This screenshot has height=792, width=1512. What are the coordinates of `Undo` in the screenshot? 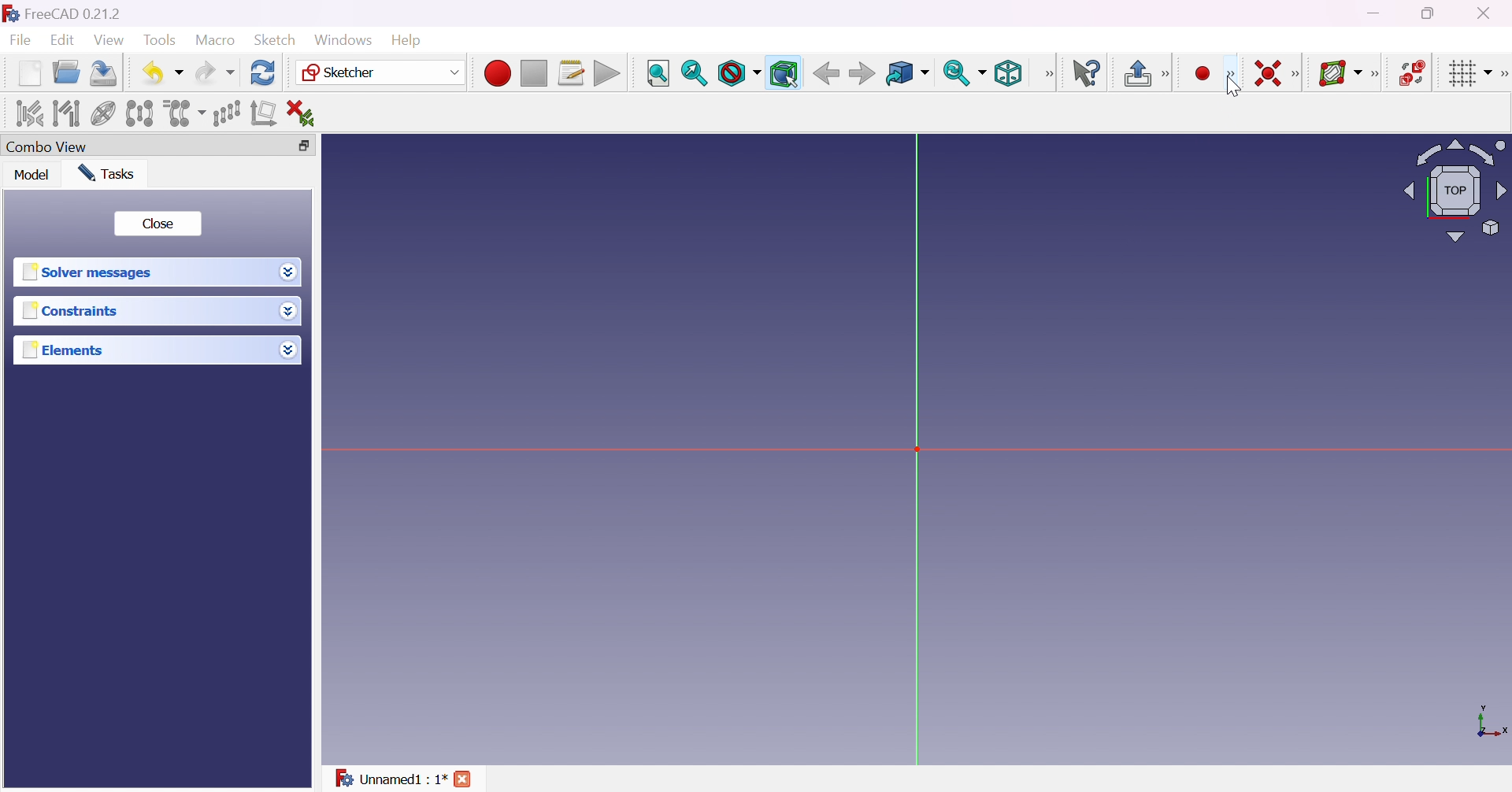 It's located at (163, 72).